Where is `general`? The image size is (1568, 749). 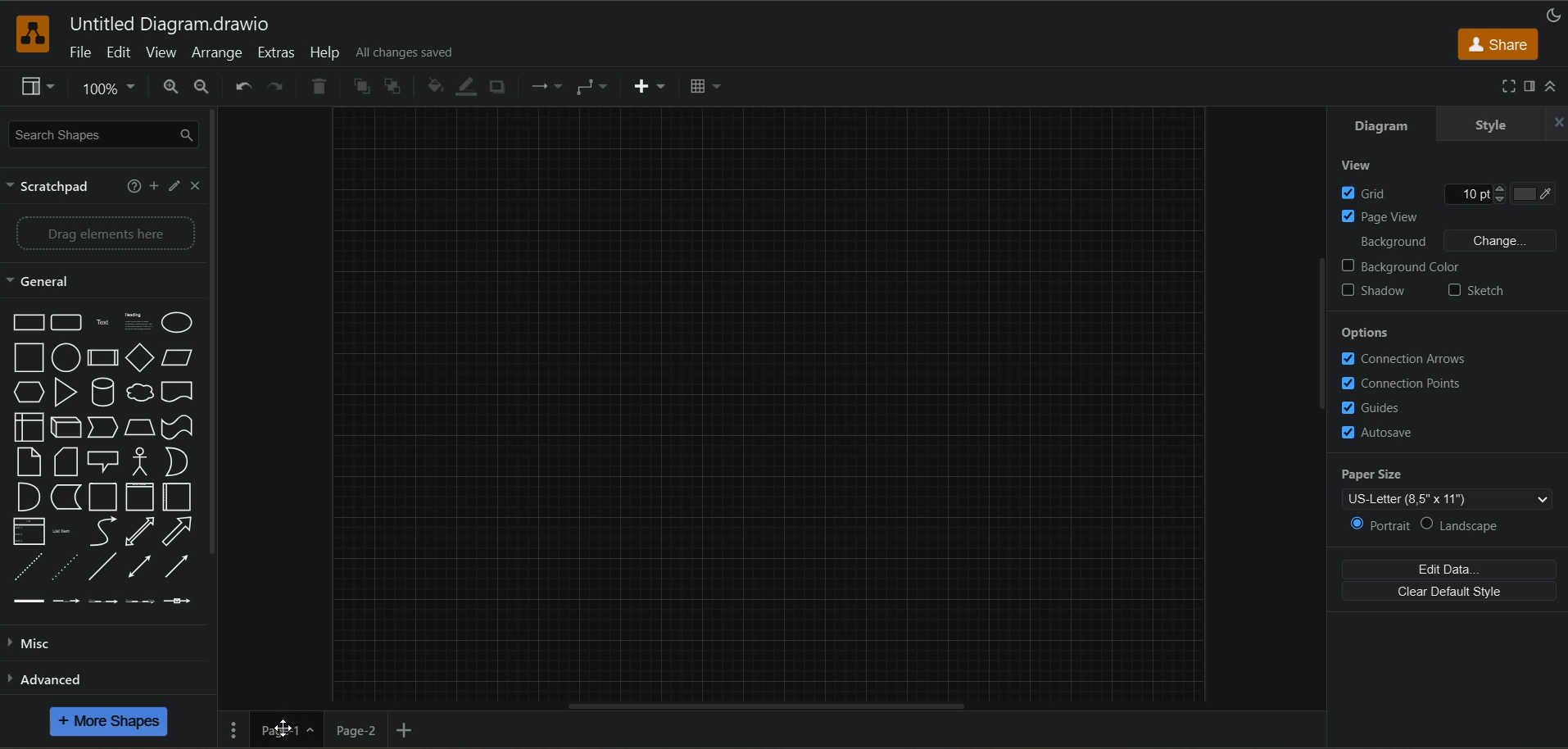
general is located at coordinates (49, 280).